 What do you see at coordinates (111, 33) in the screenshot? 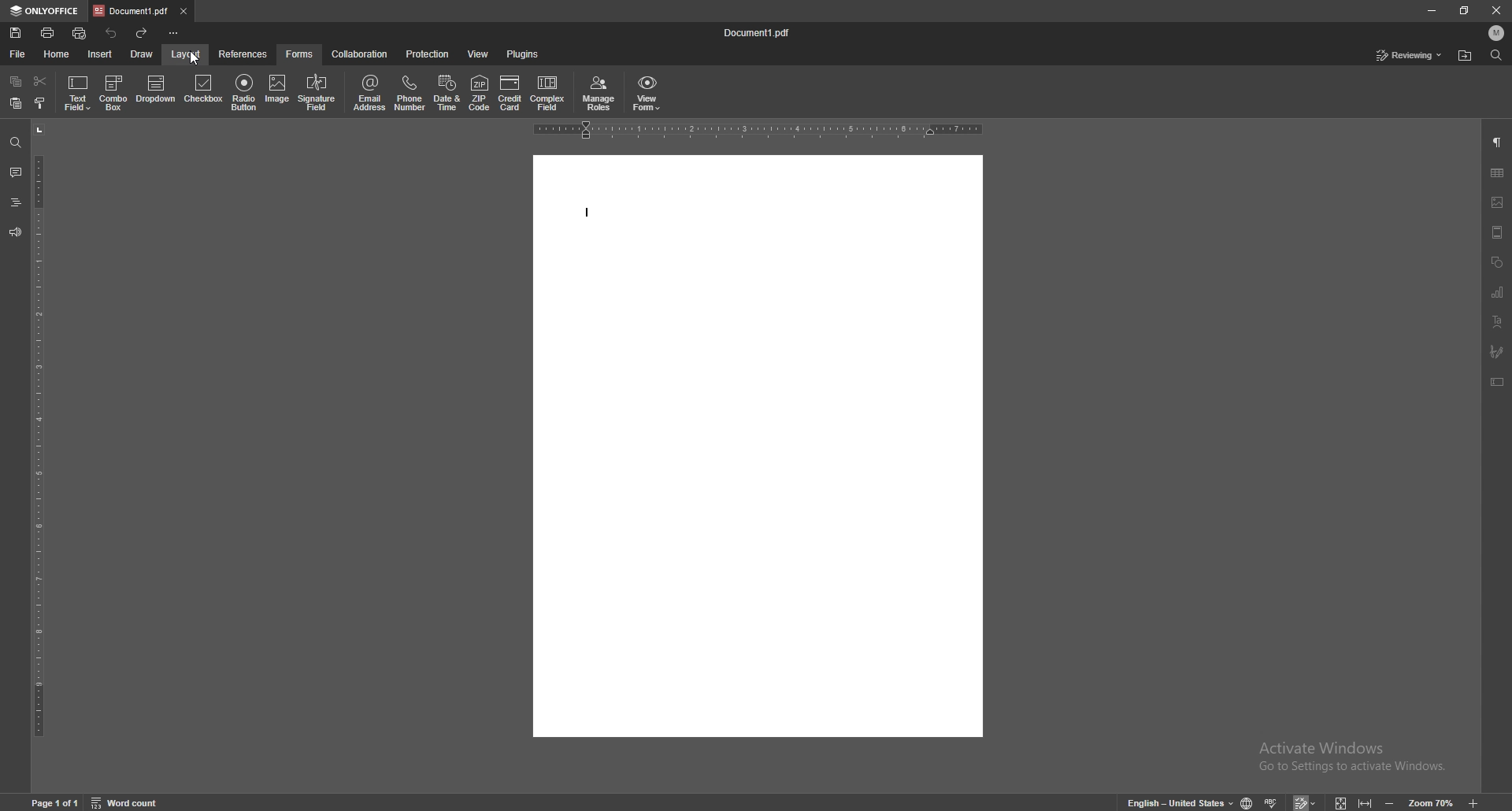
I see `undo` at bounding box center [111, 33].